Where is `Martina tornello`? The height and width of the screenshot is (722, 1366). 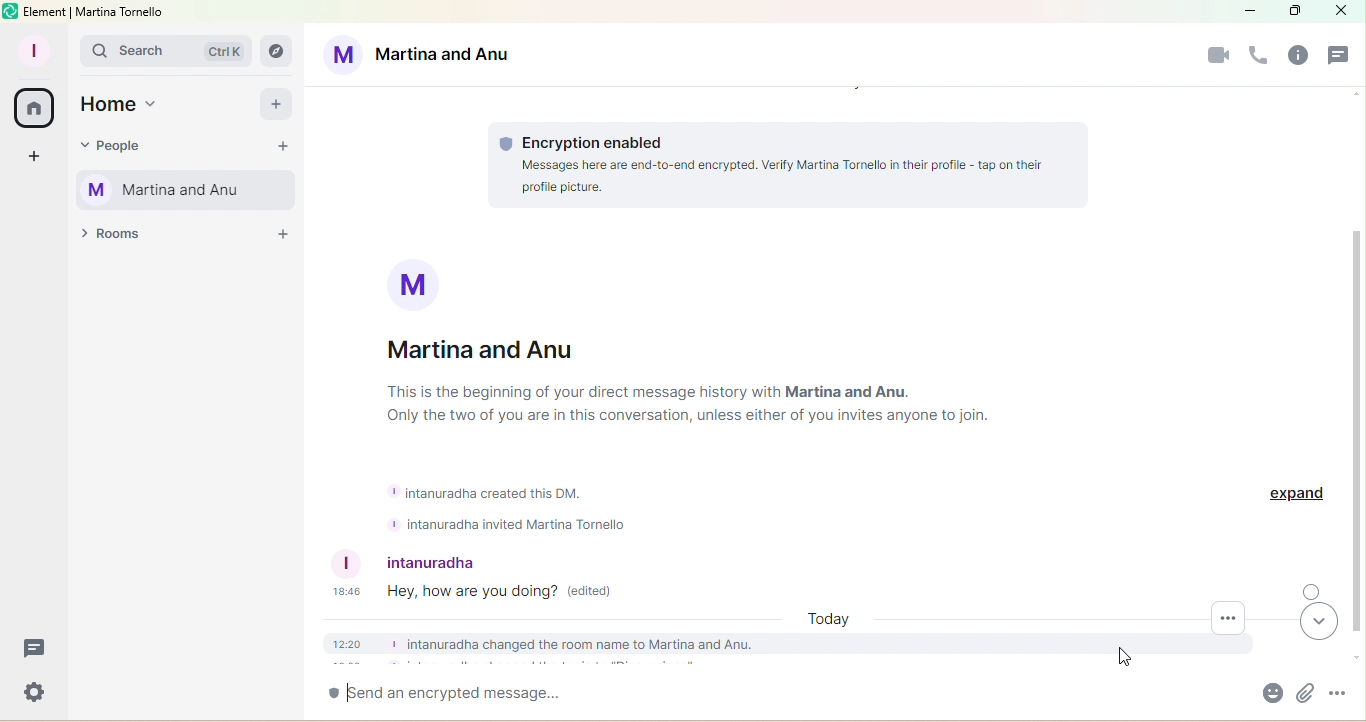 Martina tornello is located at coordinates (121, 13).